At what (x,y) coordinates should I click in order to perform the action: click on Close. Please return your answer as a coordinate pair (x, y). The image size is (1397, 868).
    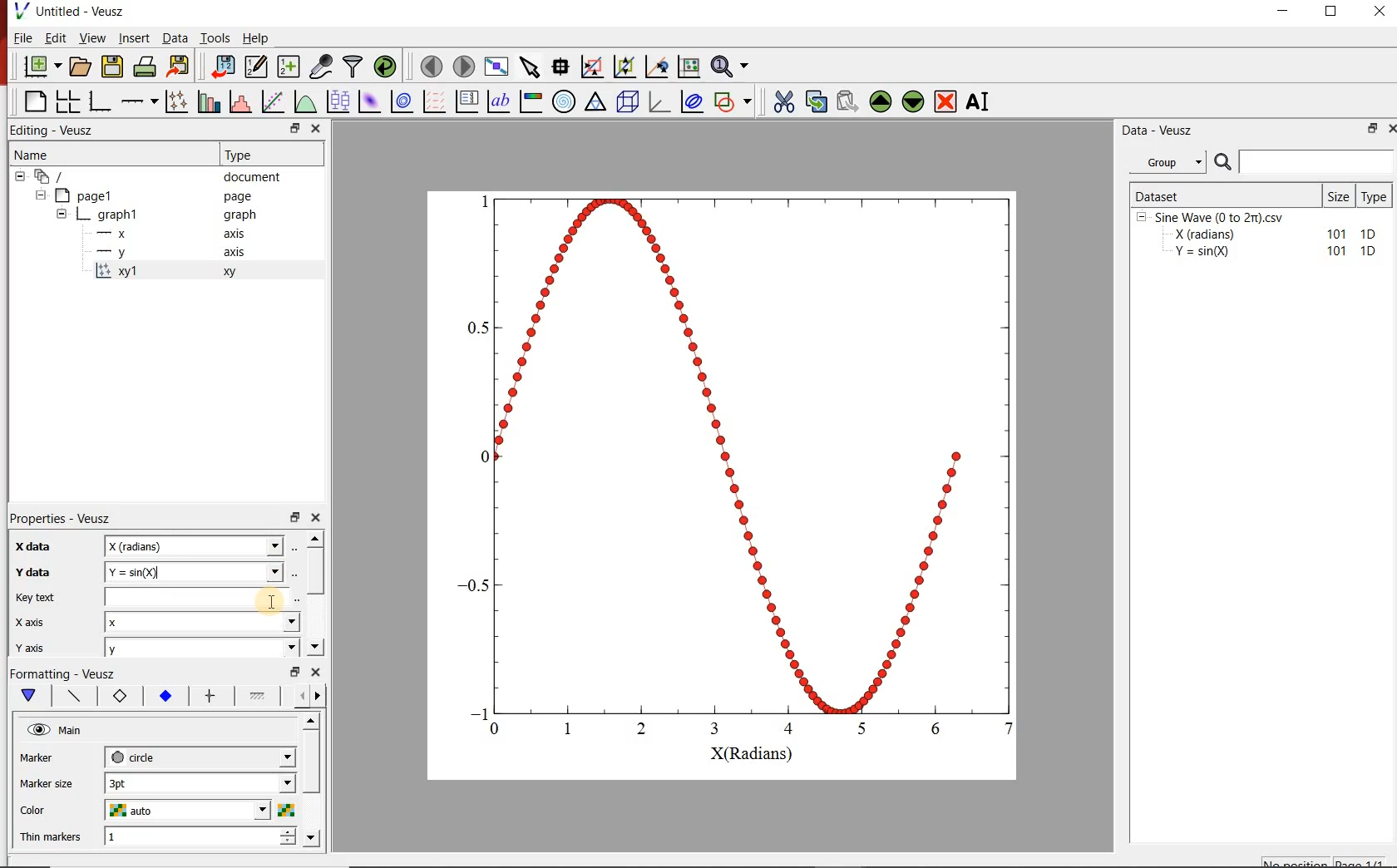
    Looking at the image, I should click on (317, 515).